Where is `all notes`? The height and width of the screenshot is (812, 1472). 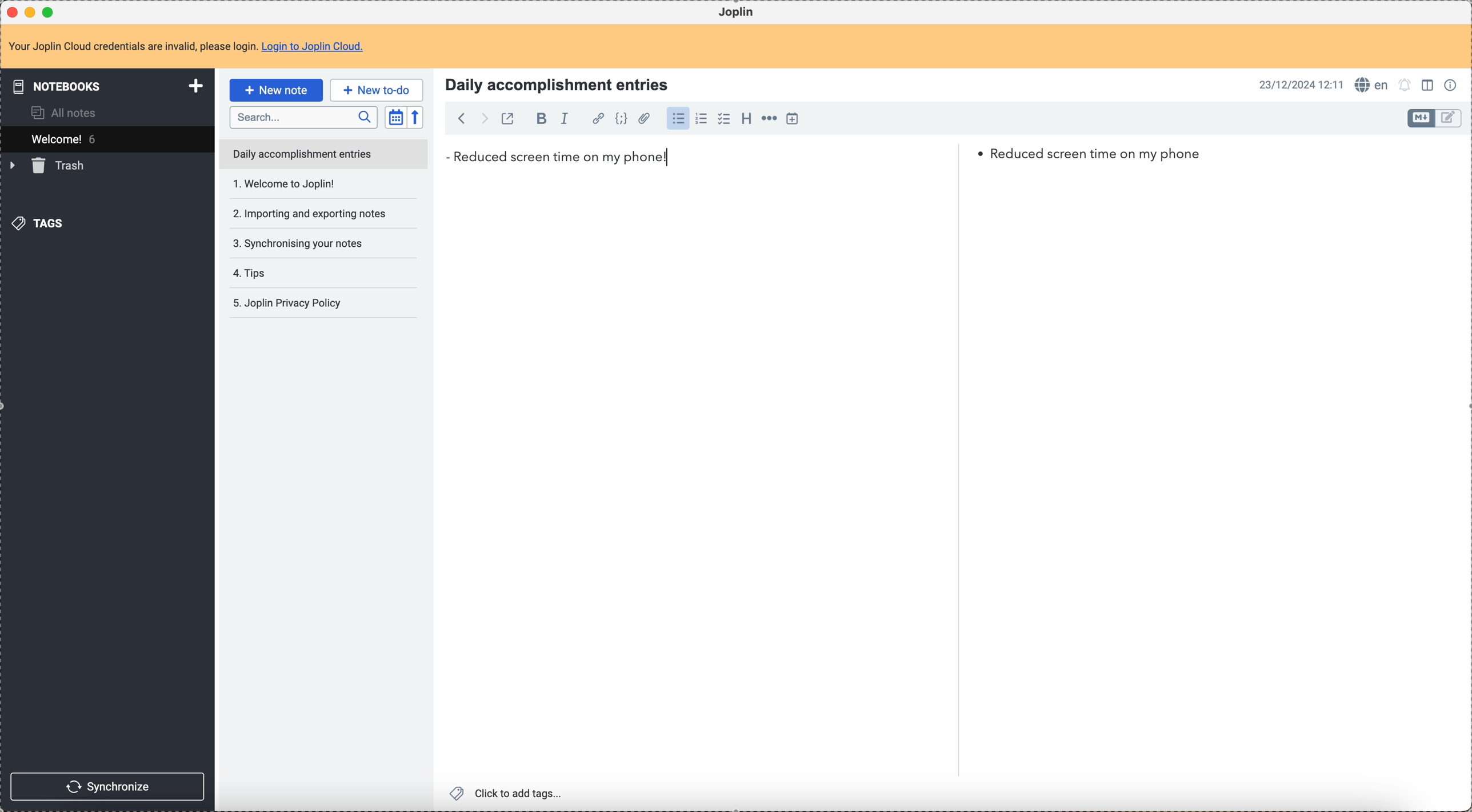 all notes is located at coordinates (59, 113).